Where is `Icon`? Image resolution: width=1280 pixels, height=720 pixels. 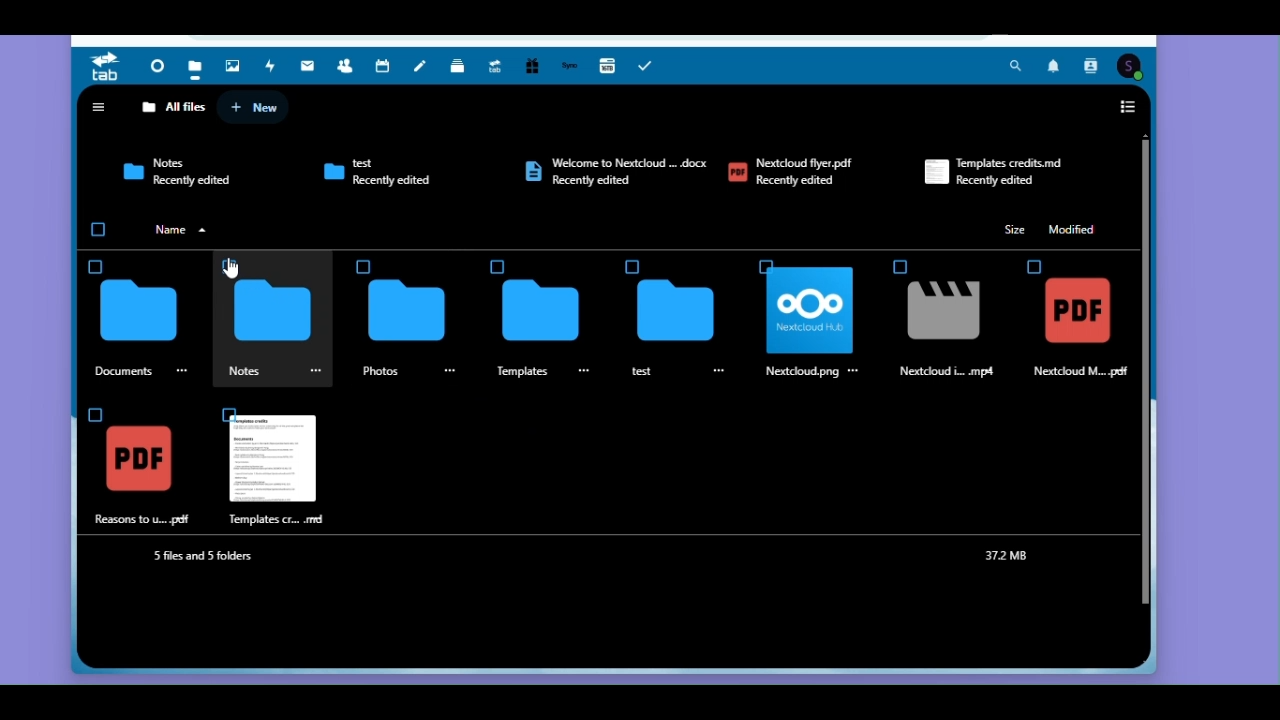
Icon is located at coordinates (538, 311).